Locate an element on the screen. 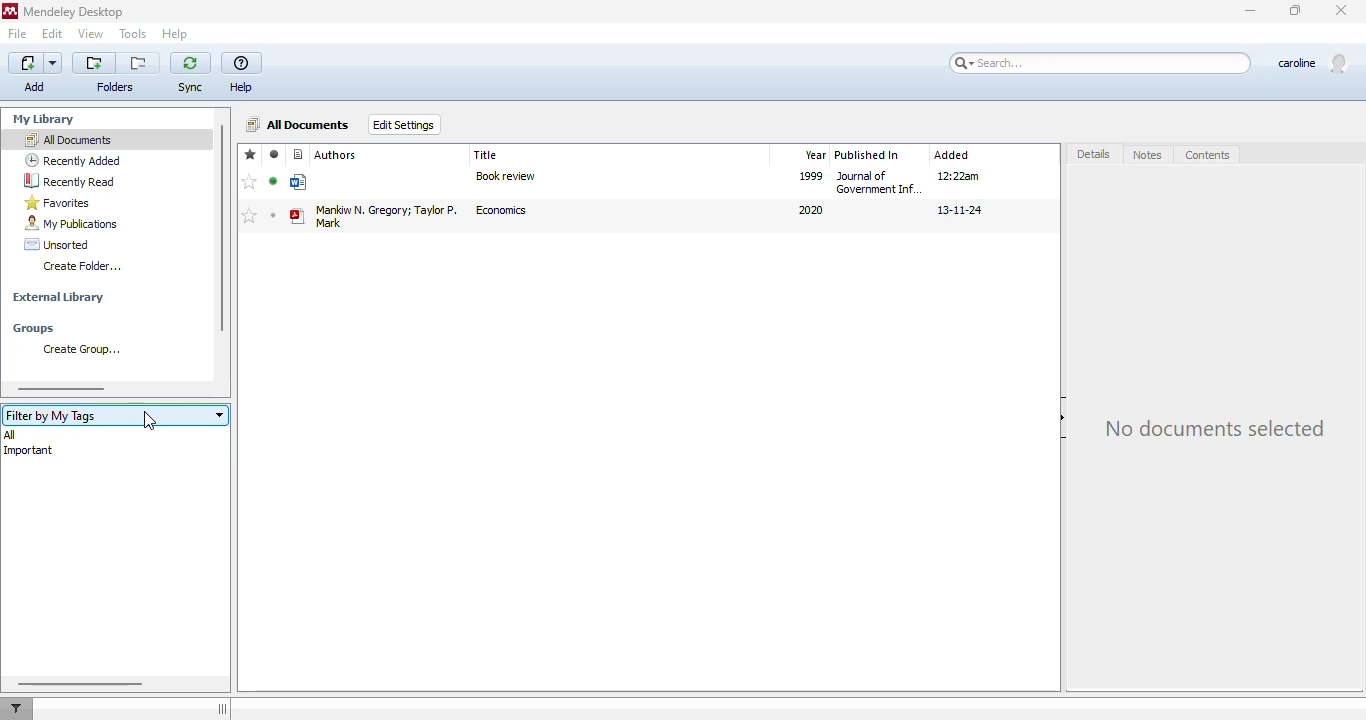 The height and width of the screenshot is (720, 1366). Add folder is located at coordinates (94, 63).